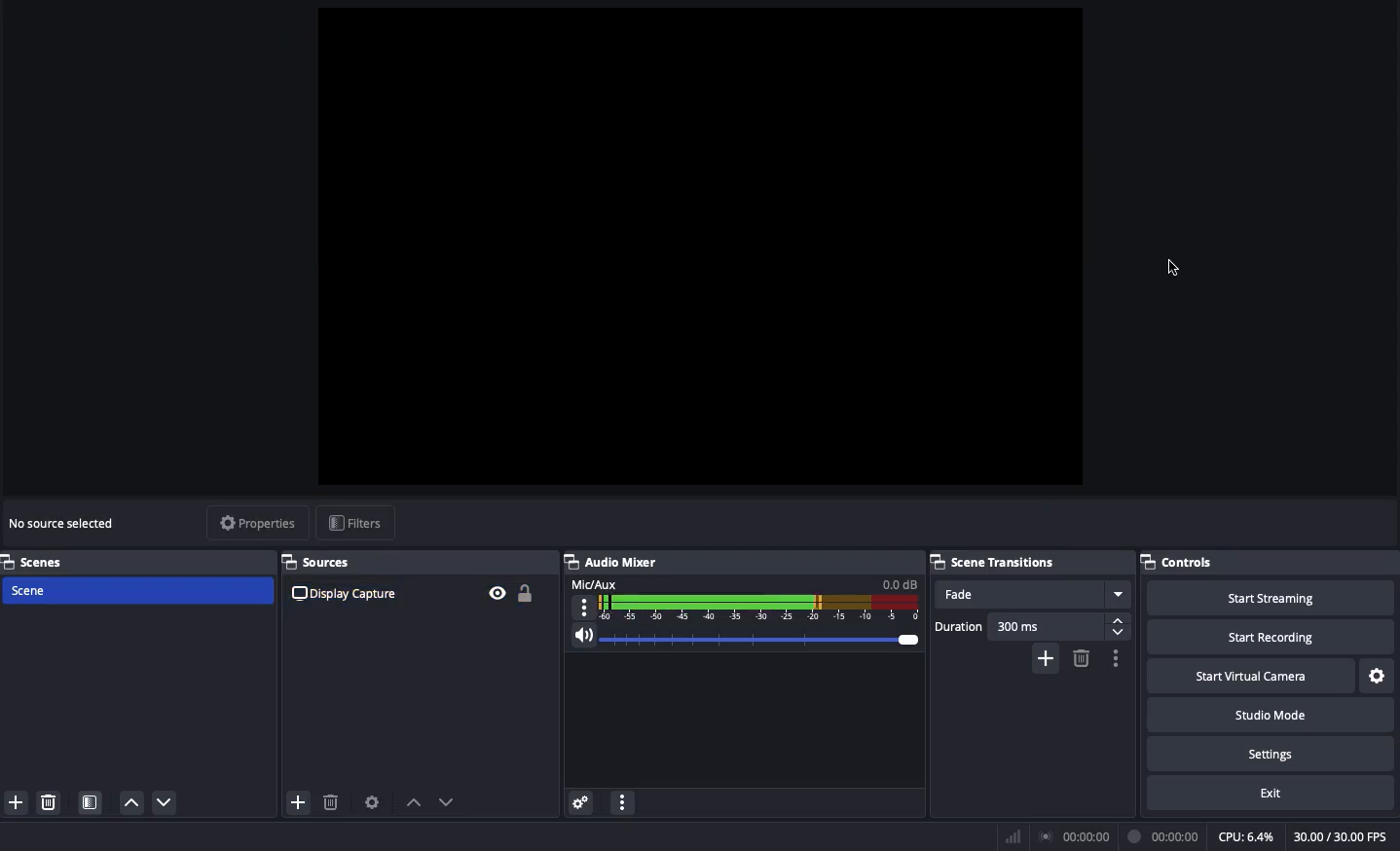 The image size is (1400, 851). Describe the element at coordinates (1169, 268) in the screenshot. I see `Moved off screen` at that location.